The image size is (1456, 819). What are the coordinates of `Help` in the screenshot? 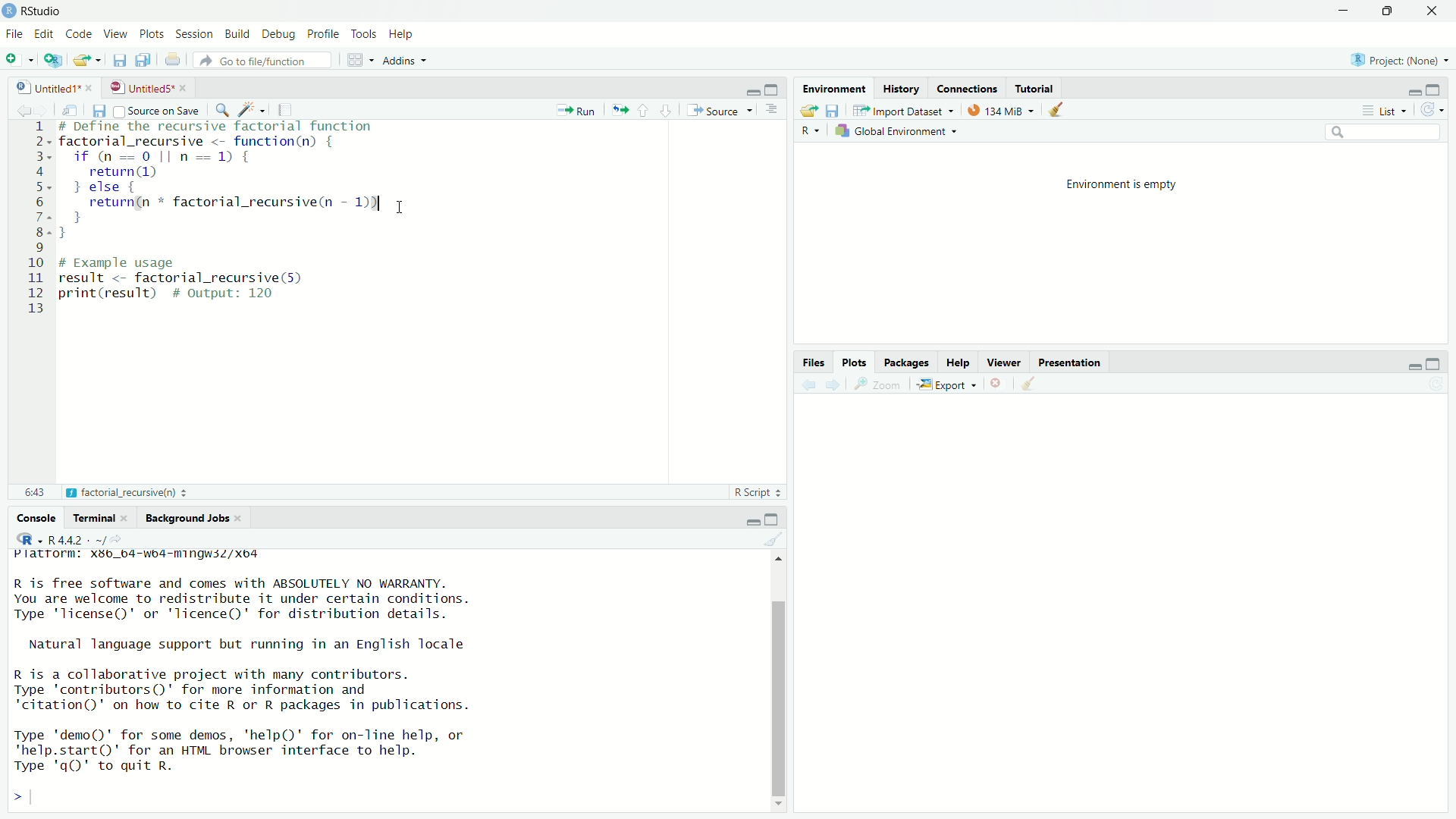 It's located at (402, 34).